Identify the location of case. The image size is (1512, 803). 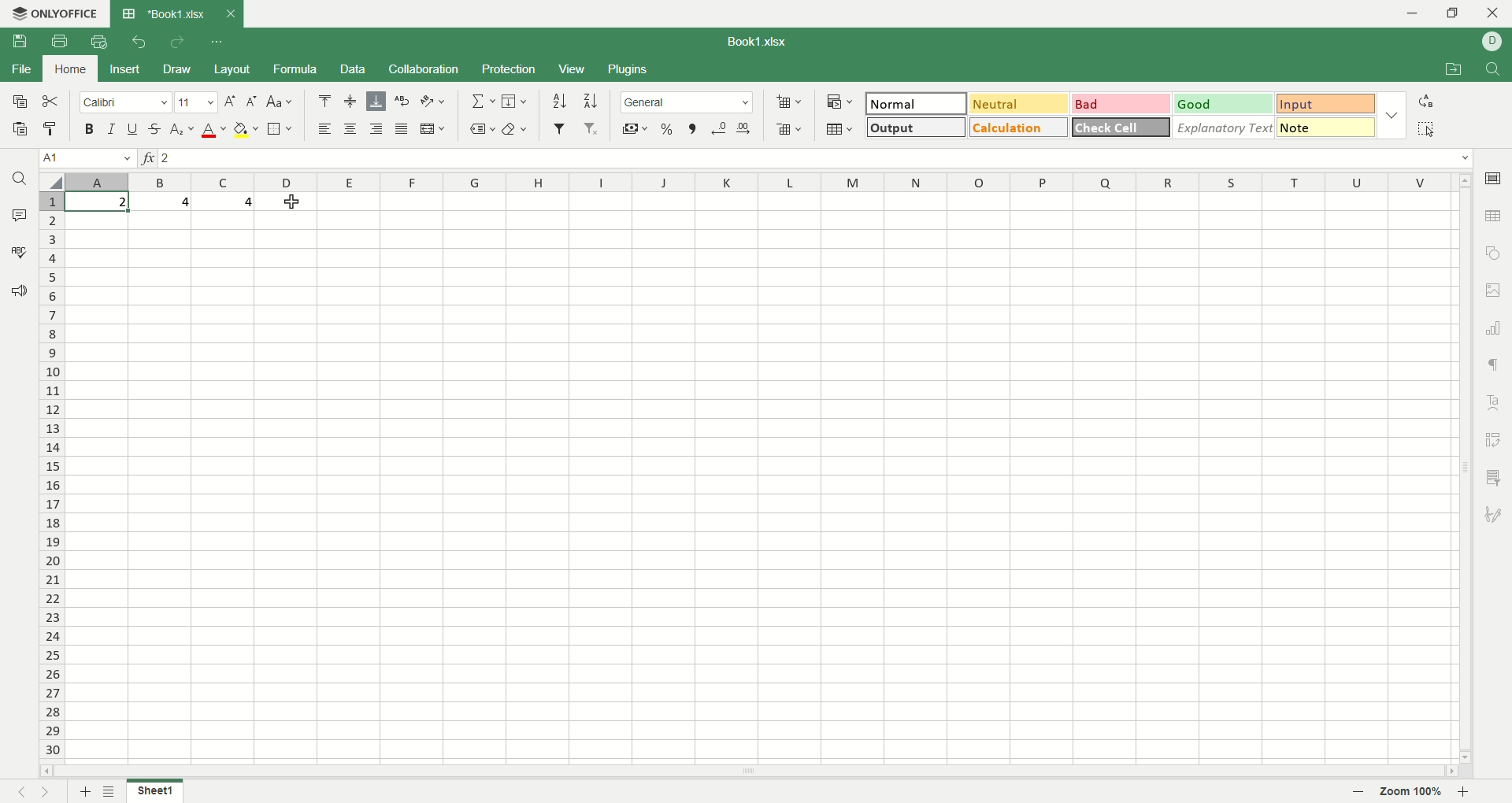
(280, 101).